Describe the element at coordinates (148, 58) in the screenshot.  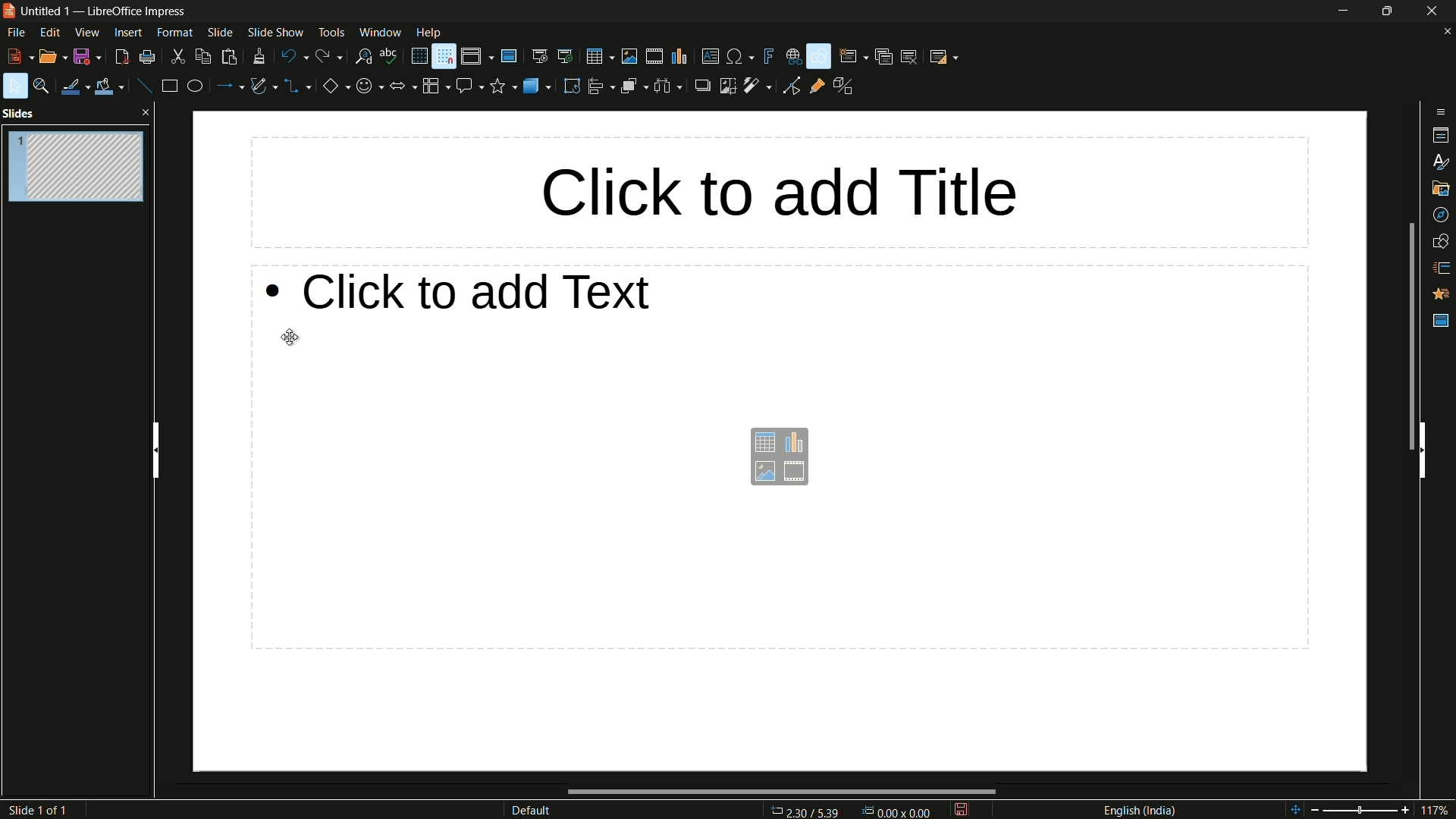
I see `print` at that location.